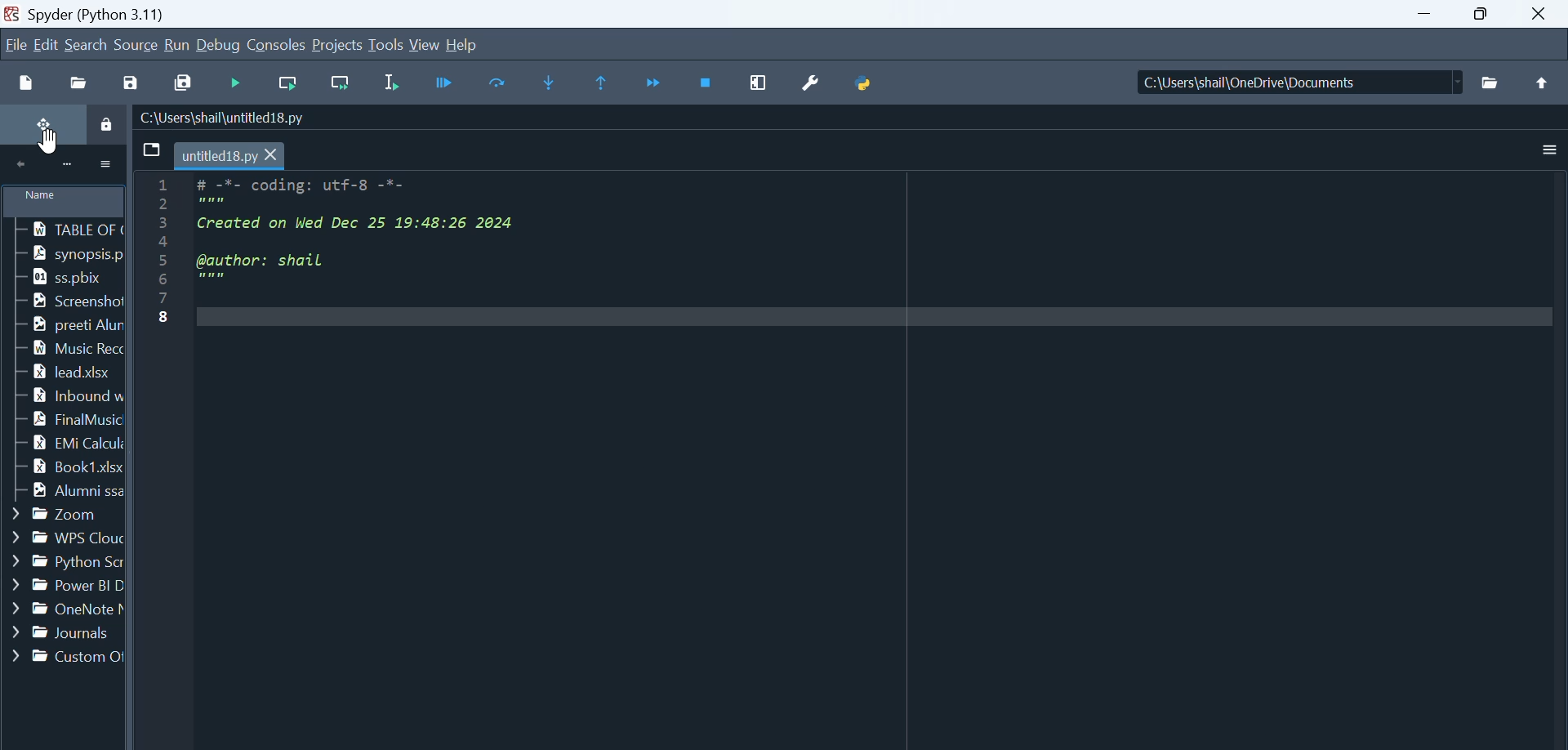  I want to click on EM: Calcul:.., so click(62, 443).